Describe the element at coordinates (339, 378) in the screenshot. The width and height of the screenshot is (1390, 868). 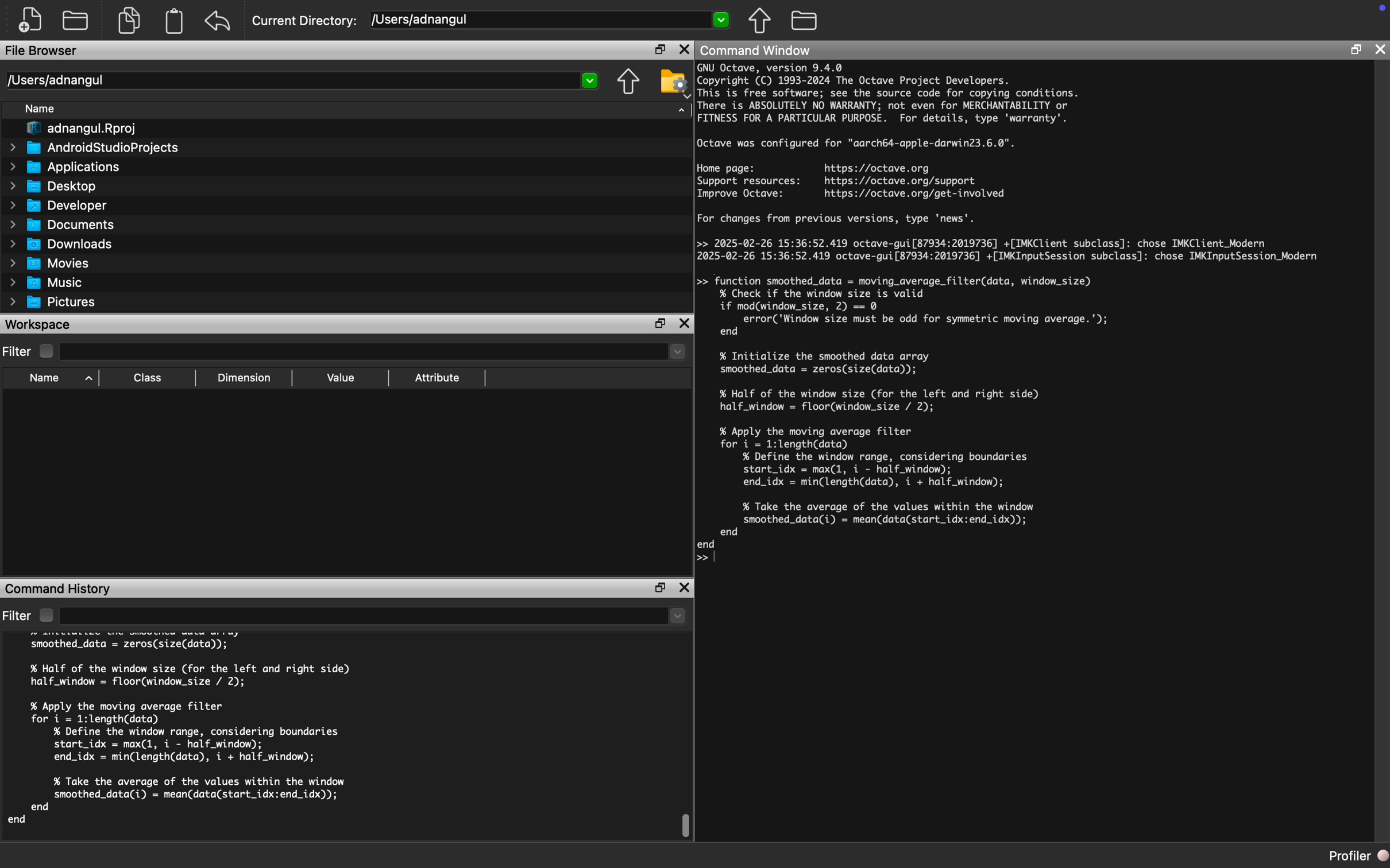
I see `Value` at that location.